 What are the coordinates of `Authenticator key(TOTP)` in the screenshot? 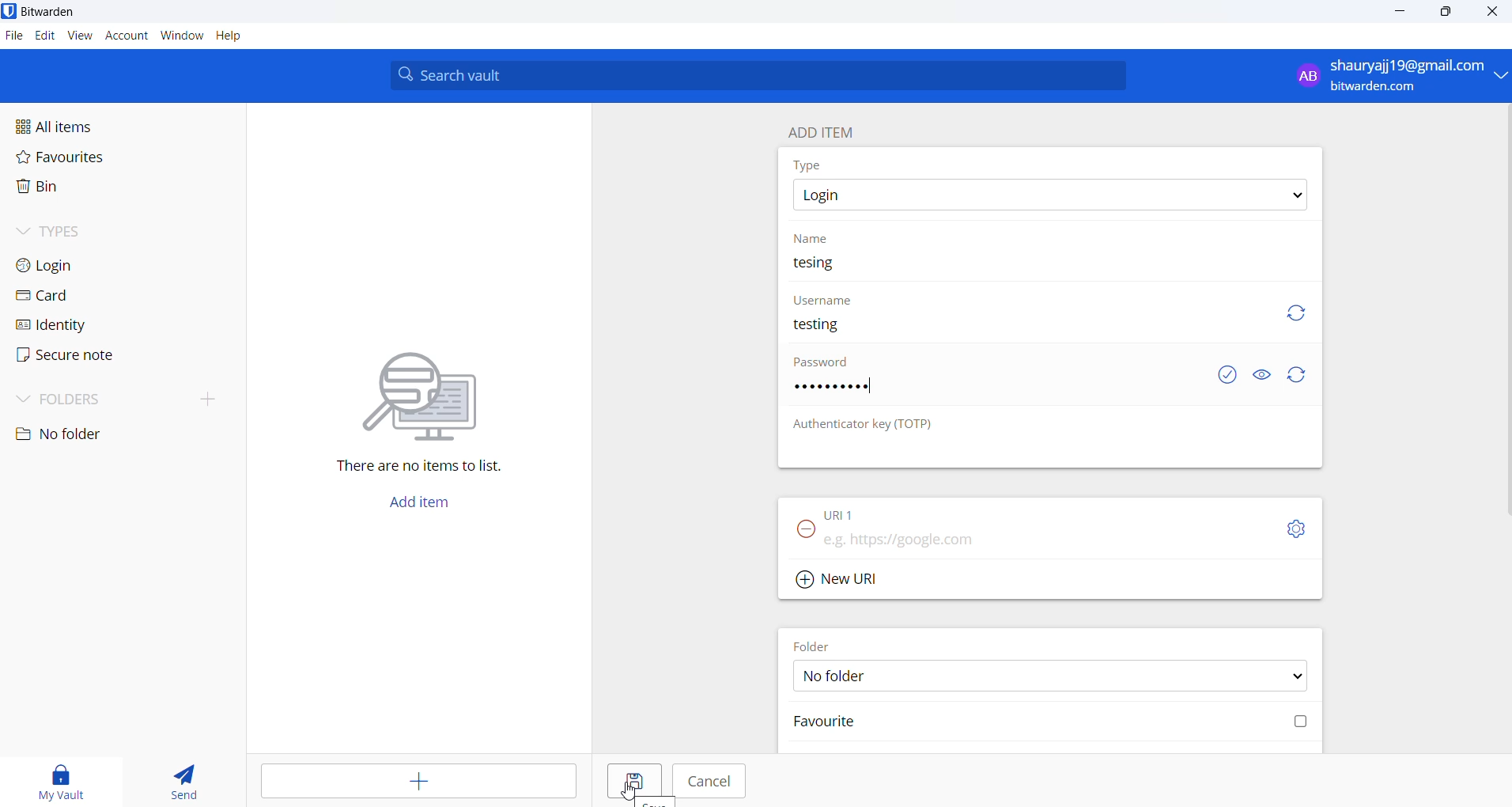 It's located at (864, 425).